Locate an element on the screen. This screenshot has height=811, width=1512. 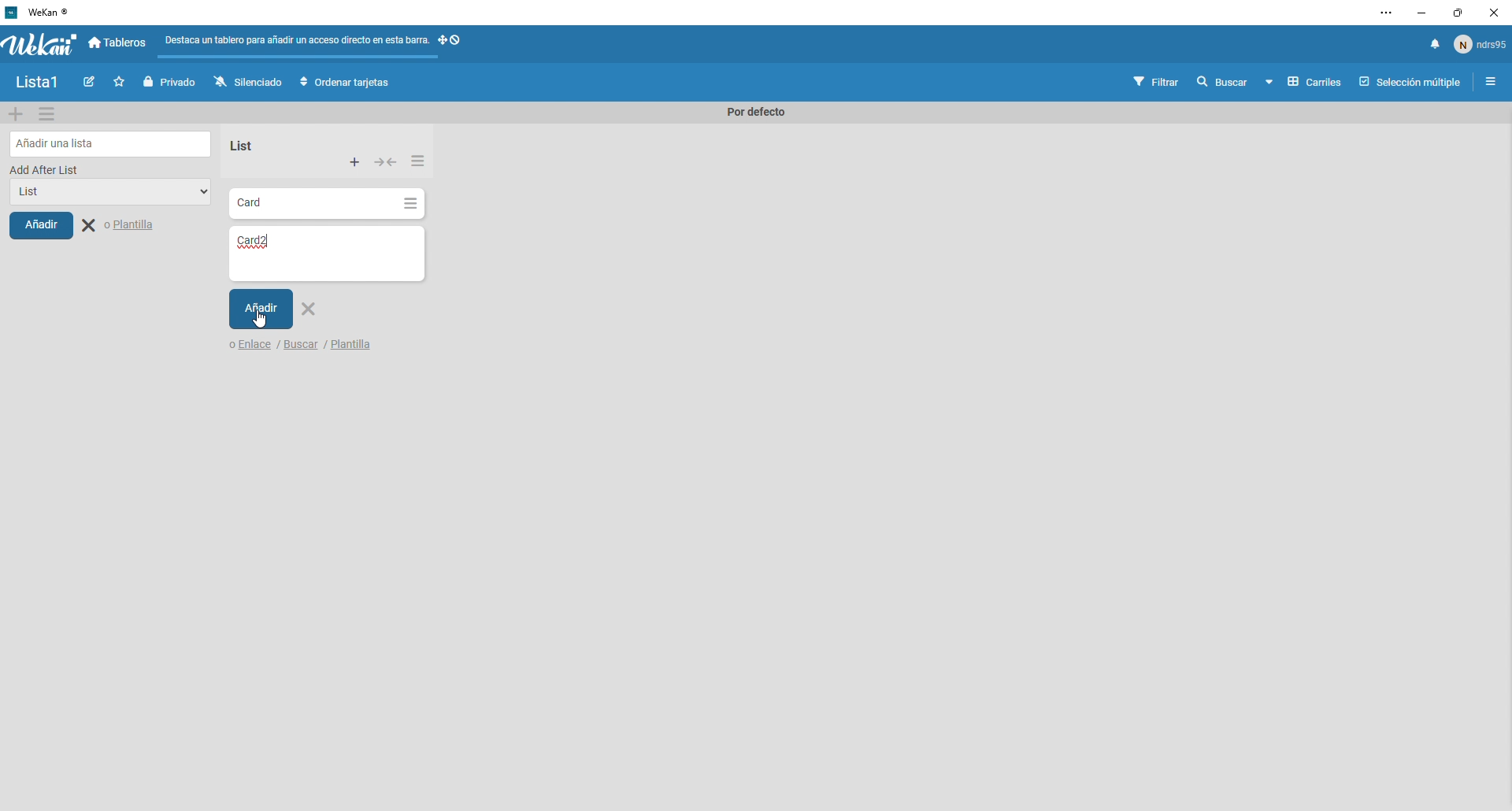
List1 is located at coordinates (43, 84).